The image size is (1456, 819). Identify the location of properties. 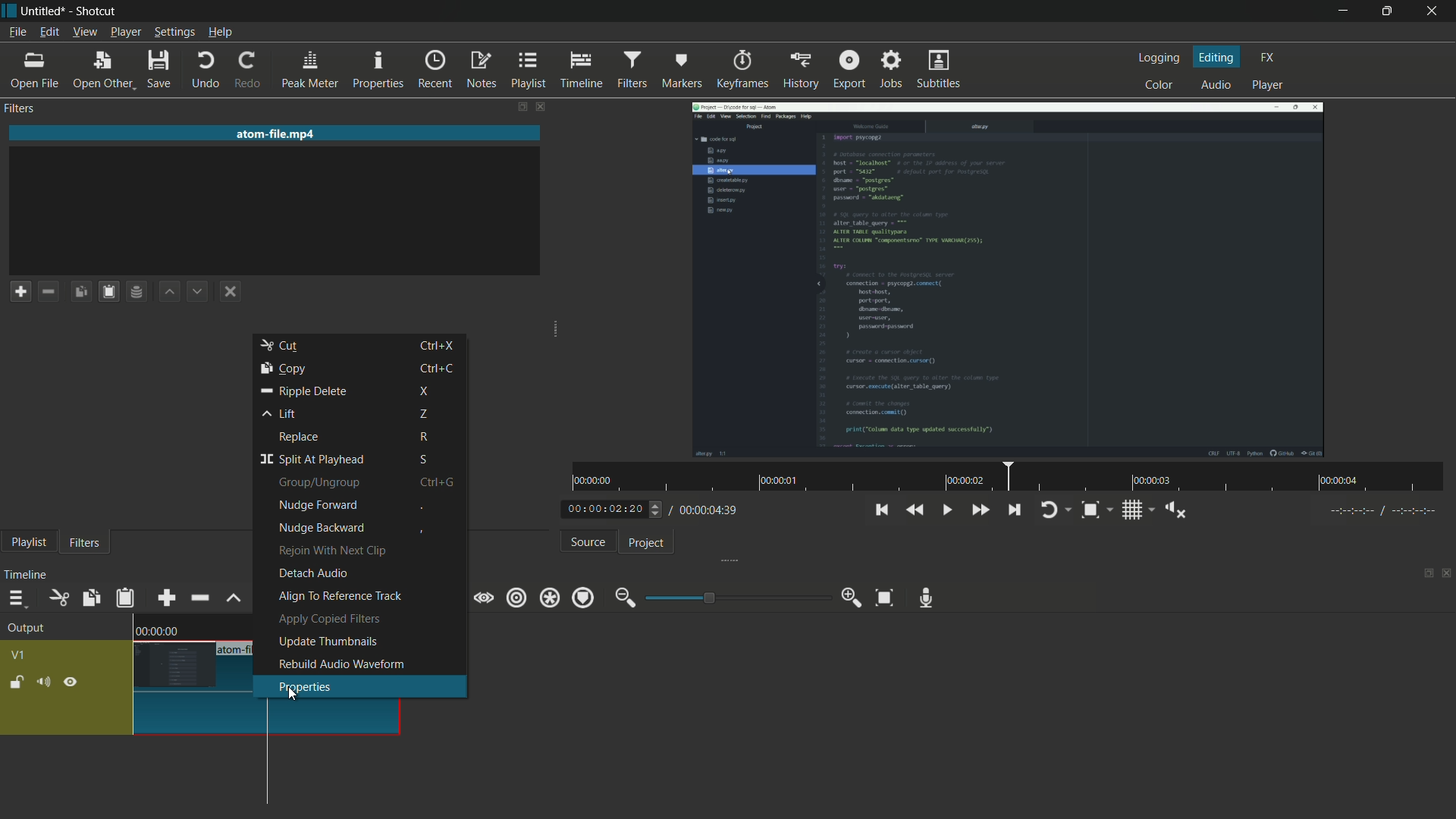
(377, 71).